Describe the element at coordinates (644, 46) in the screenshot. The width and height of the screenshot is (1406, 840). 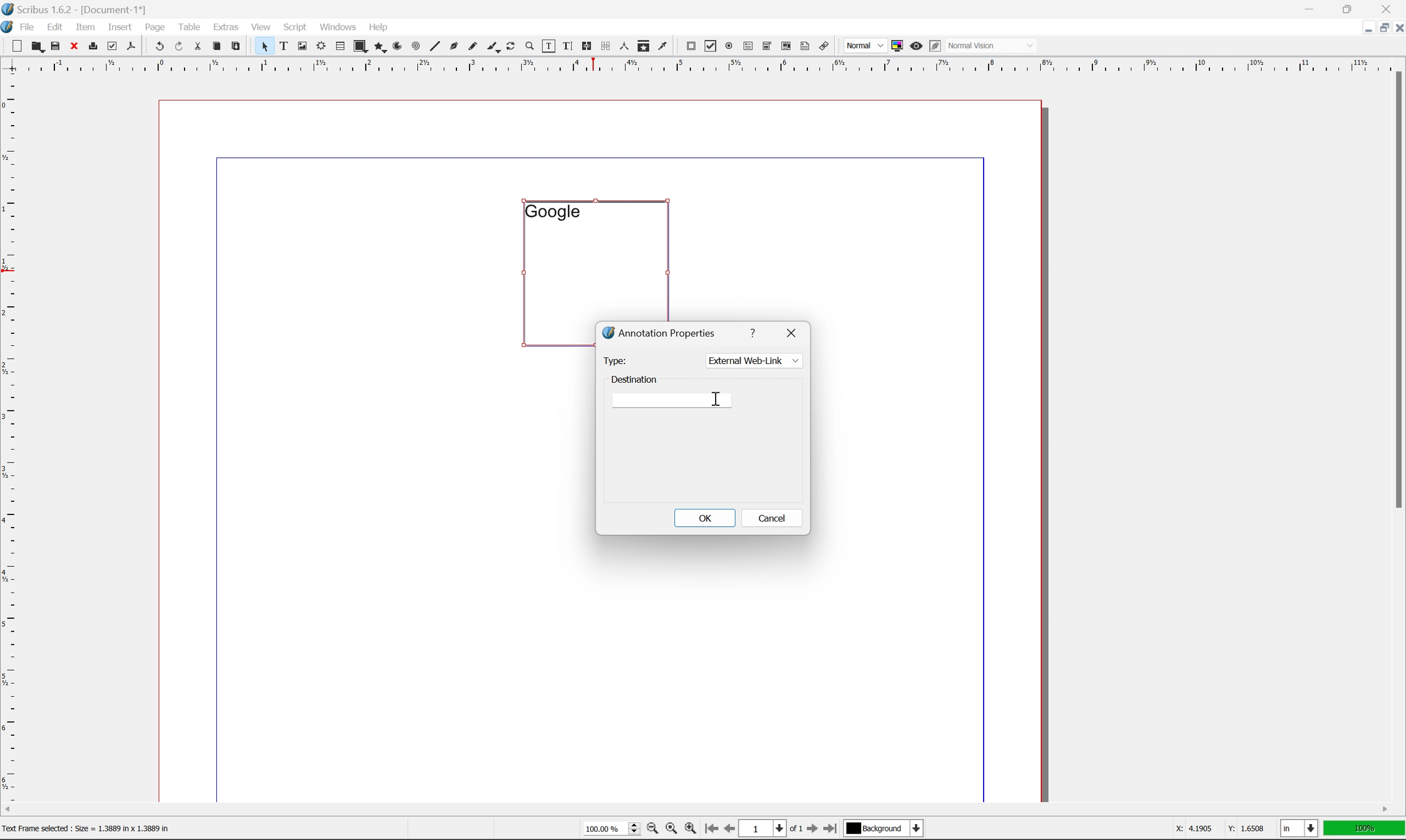
I see `copy item properties` at that location.